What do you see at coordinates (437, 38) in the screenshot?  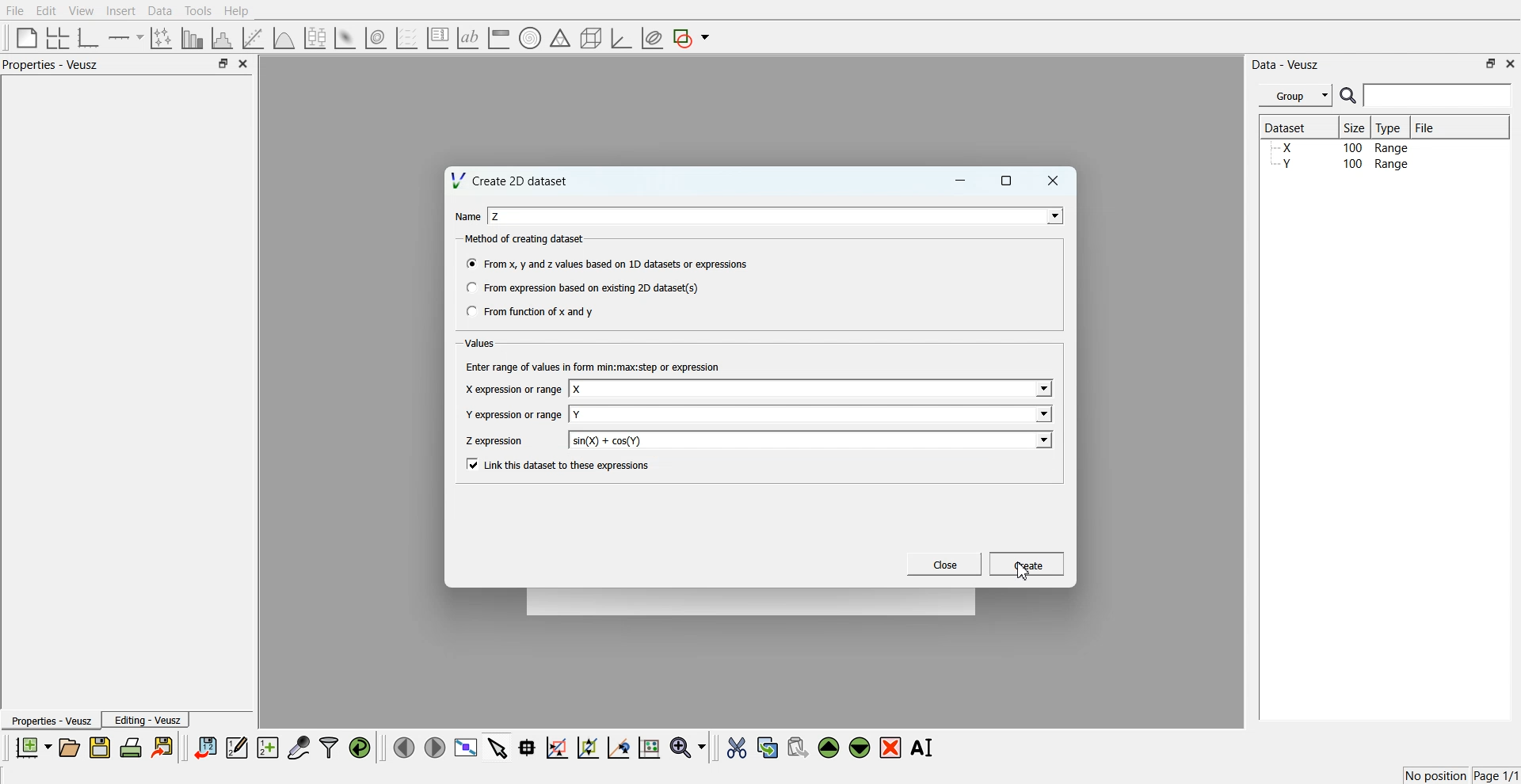 I see `Plot key` at bounding box center [437, 38].